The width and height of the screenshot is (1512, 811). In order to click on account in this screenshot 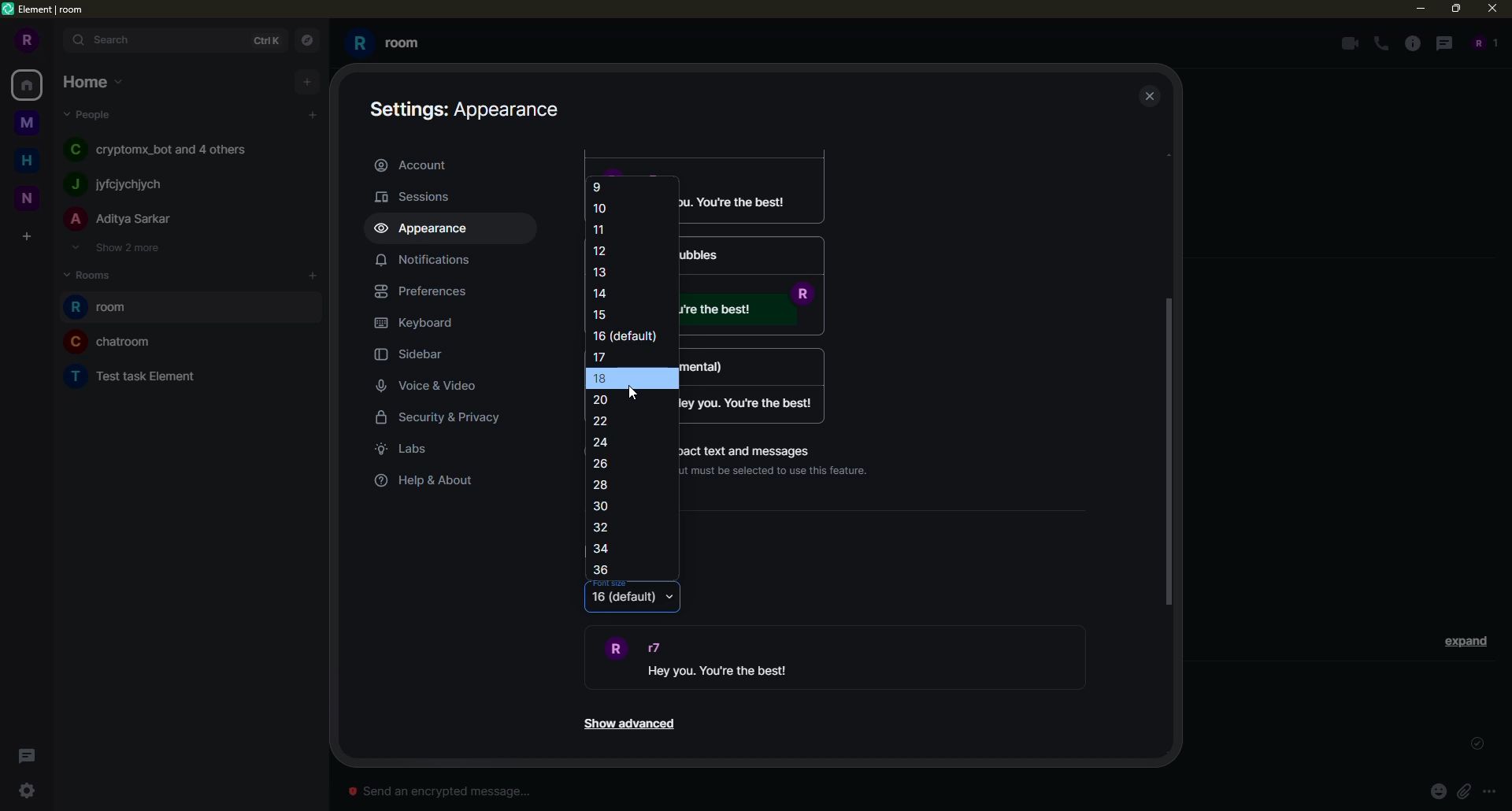, I will do `click(416, 164)`.